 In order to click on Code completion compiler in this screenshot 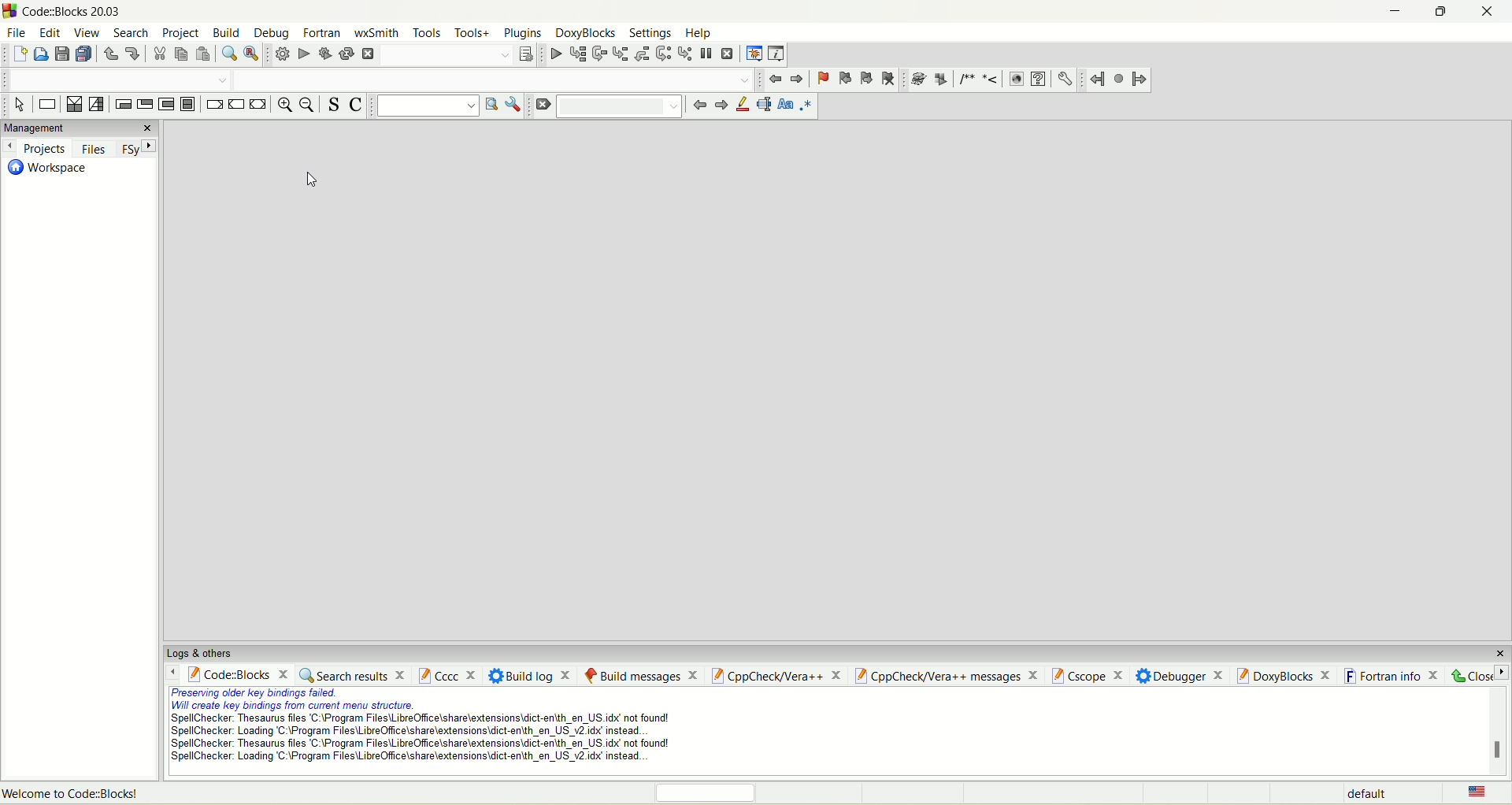, I will do `click(115, 79)`.